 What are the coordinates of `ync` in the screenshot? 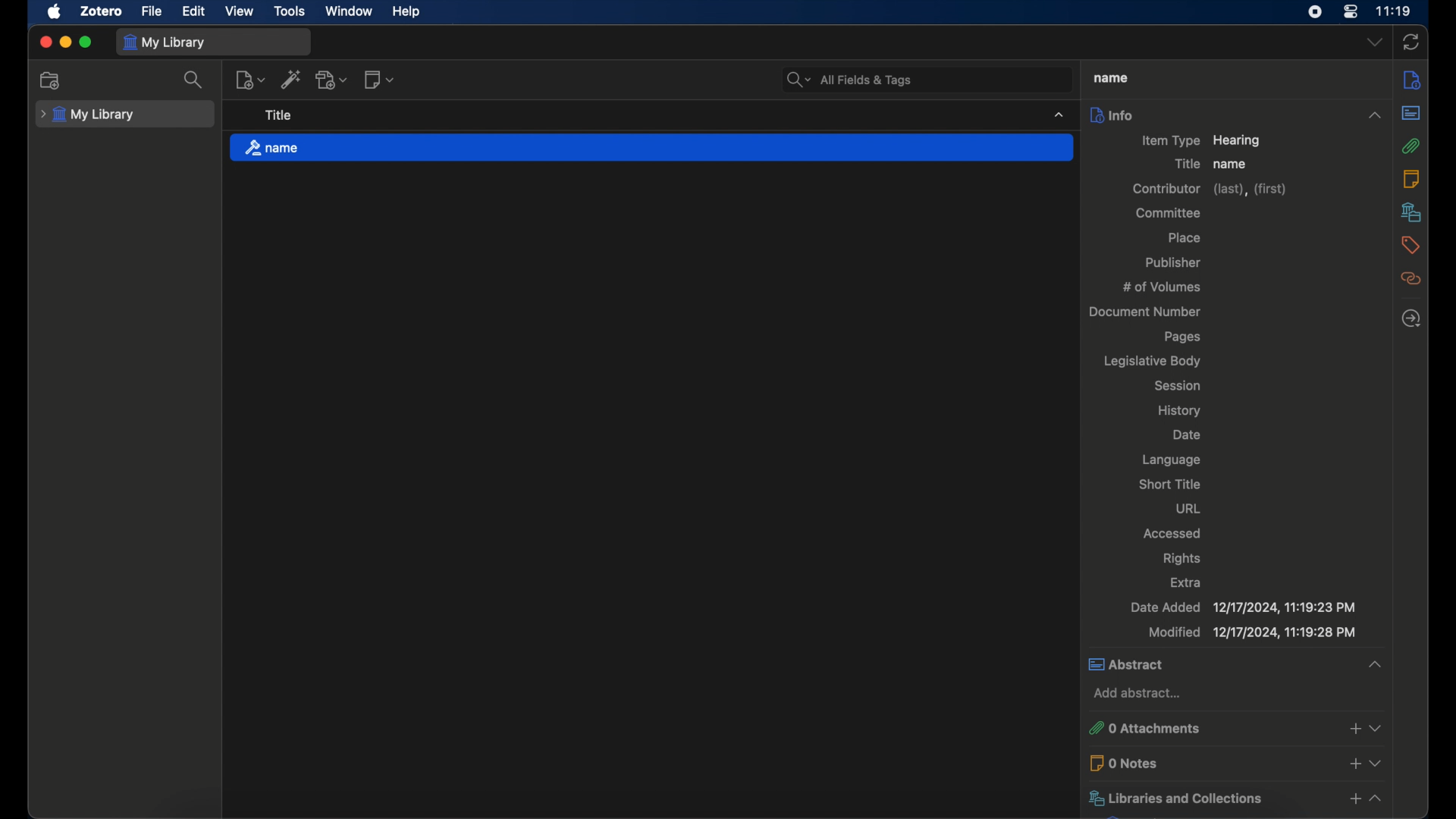 It's located at (1410, 42).